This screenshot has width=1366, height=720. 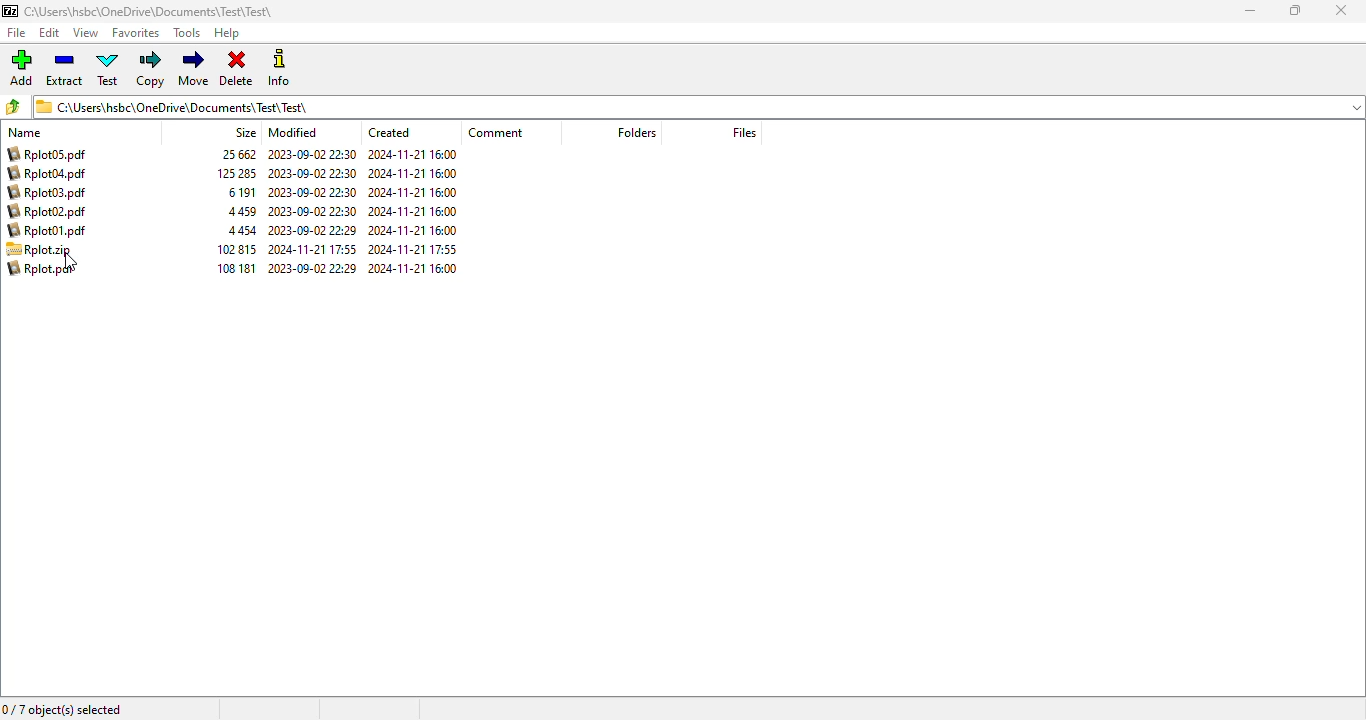 What do you see at coordinates (414, 250) in the screenshot?
I see `2024-11-21 17:55` at bounding box center [414, 250].